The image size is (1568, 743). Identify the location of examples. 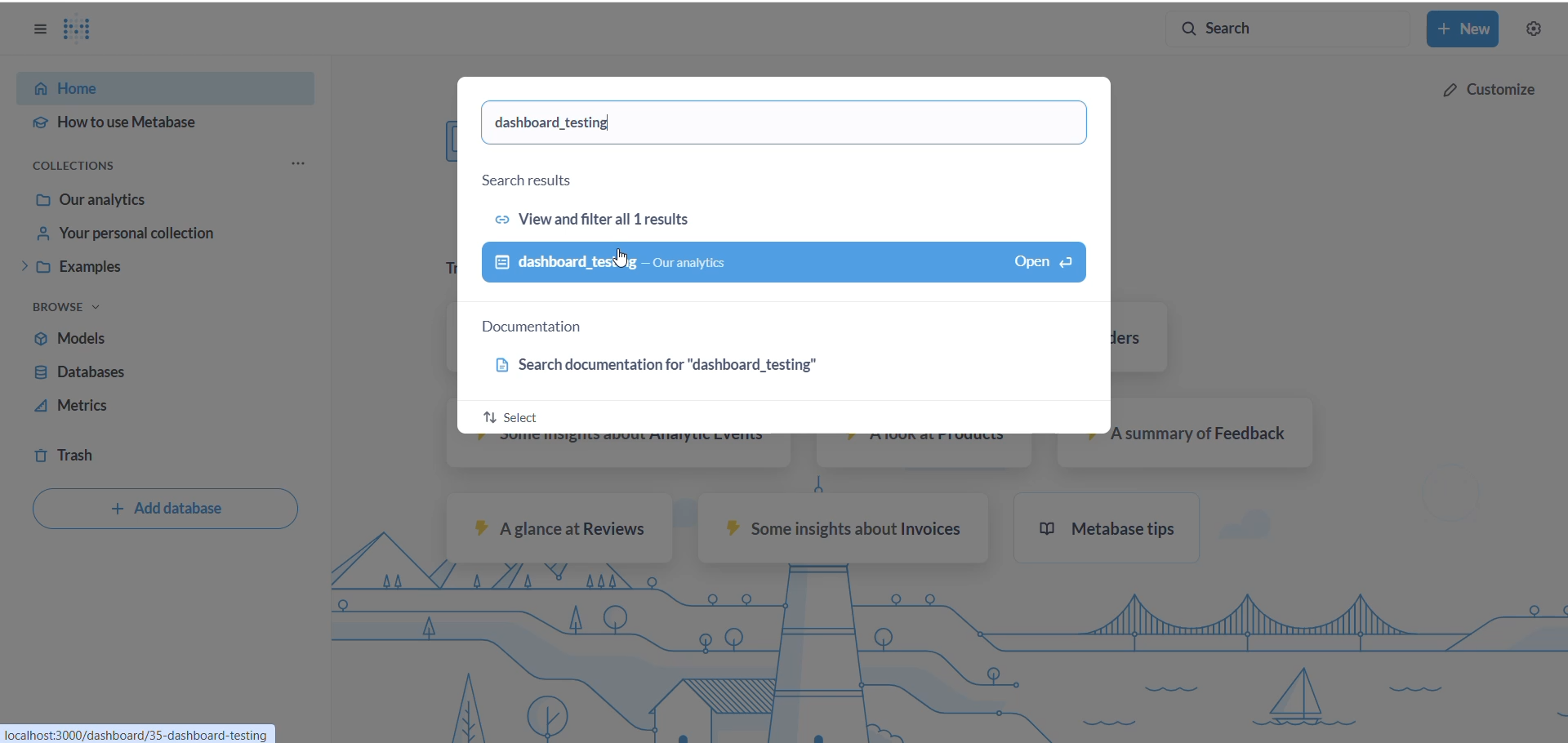
(163, 268).